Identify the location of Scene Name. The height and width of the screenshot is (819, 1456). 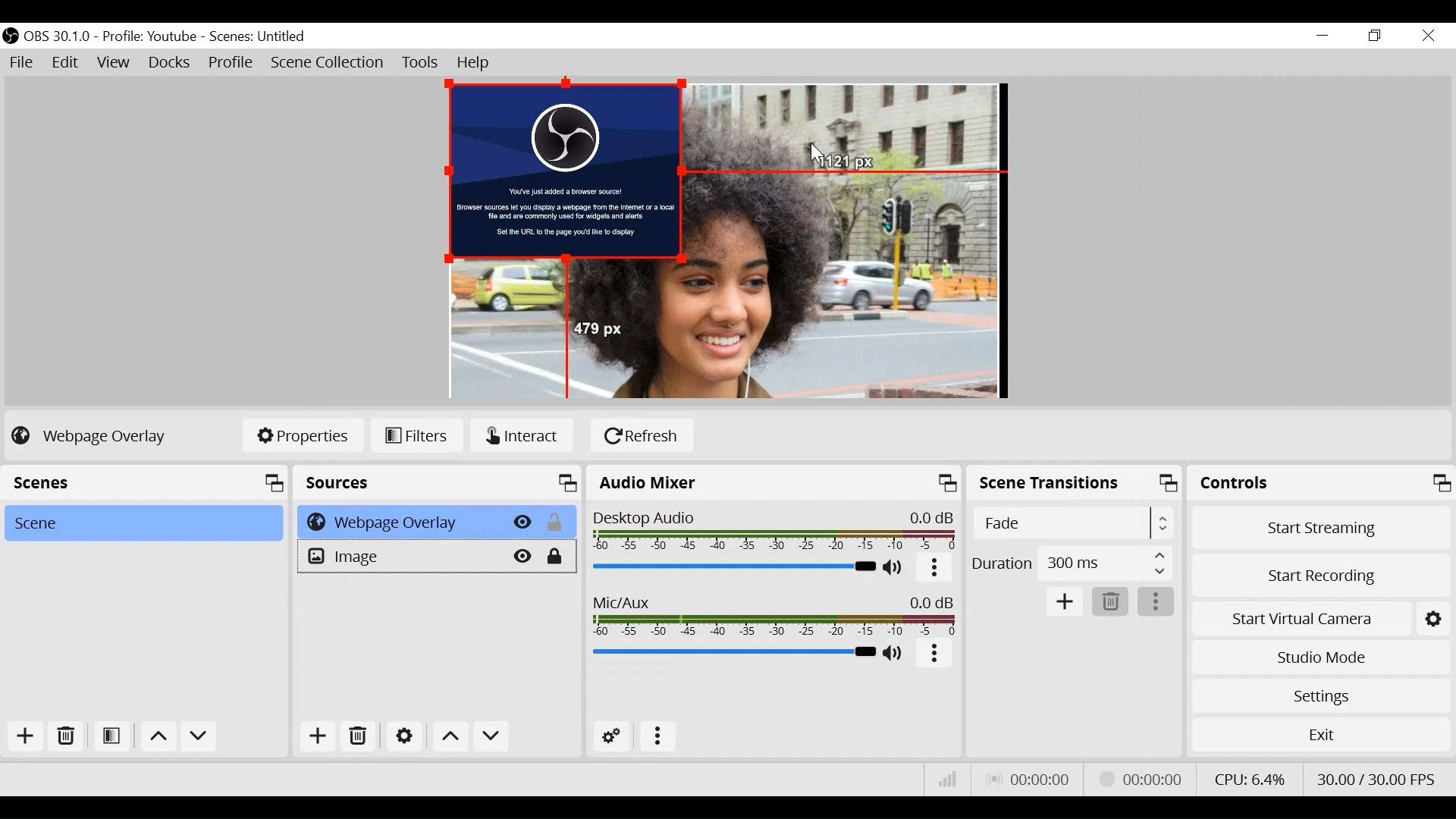
(261, 37).